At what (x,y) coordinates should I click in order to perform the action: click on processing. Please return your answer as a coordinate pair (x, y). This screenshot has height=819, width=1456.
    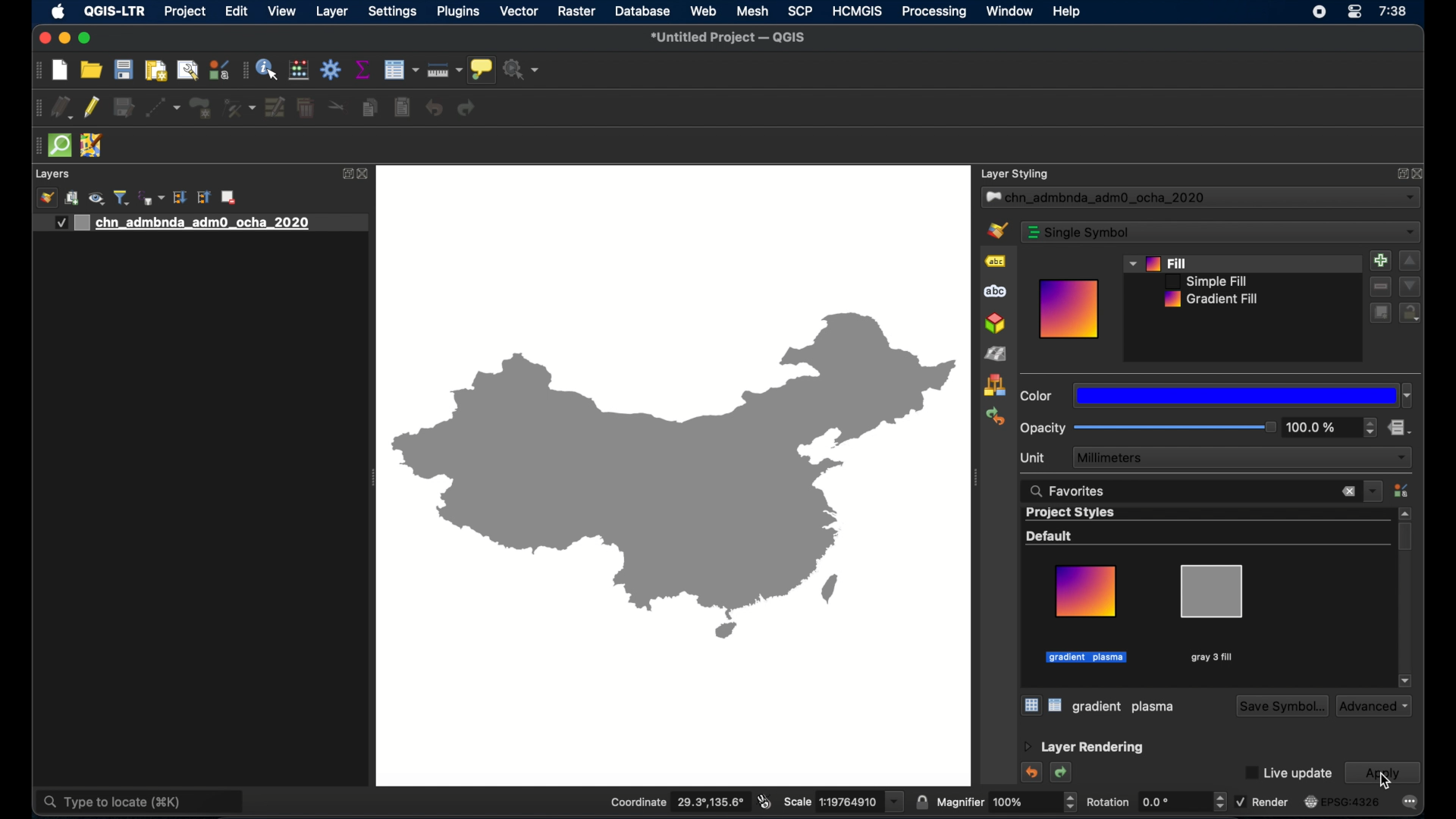
    Looking at the image, I should click on (934, 12).